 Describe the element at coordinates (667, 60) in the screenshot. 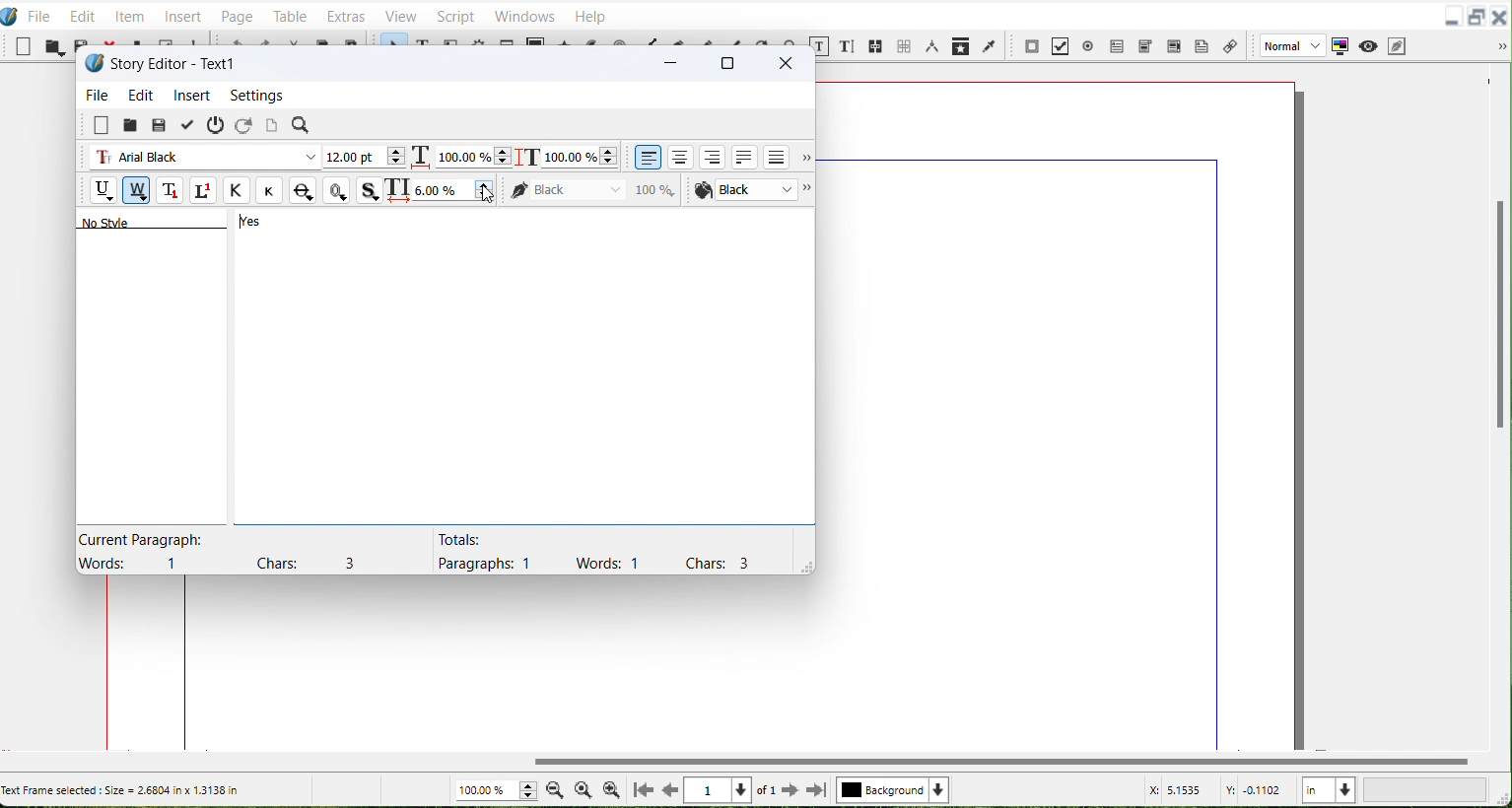

I see `Minimize` at that location.